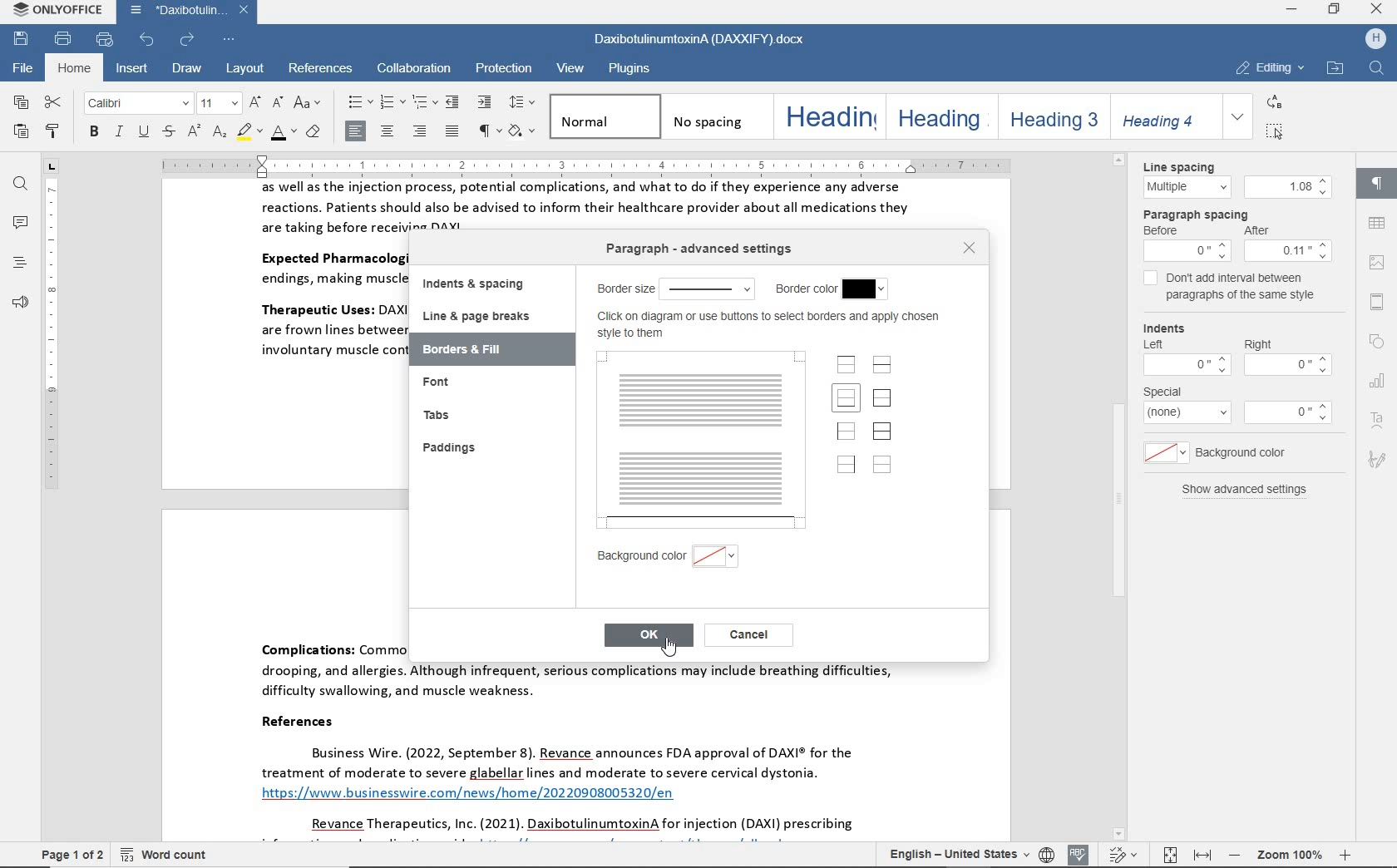 The image size is (1397, 868). I want to click on font, so click(136, 104).